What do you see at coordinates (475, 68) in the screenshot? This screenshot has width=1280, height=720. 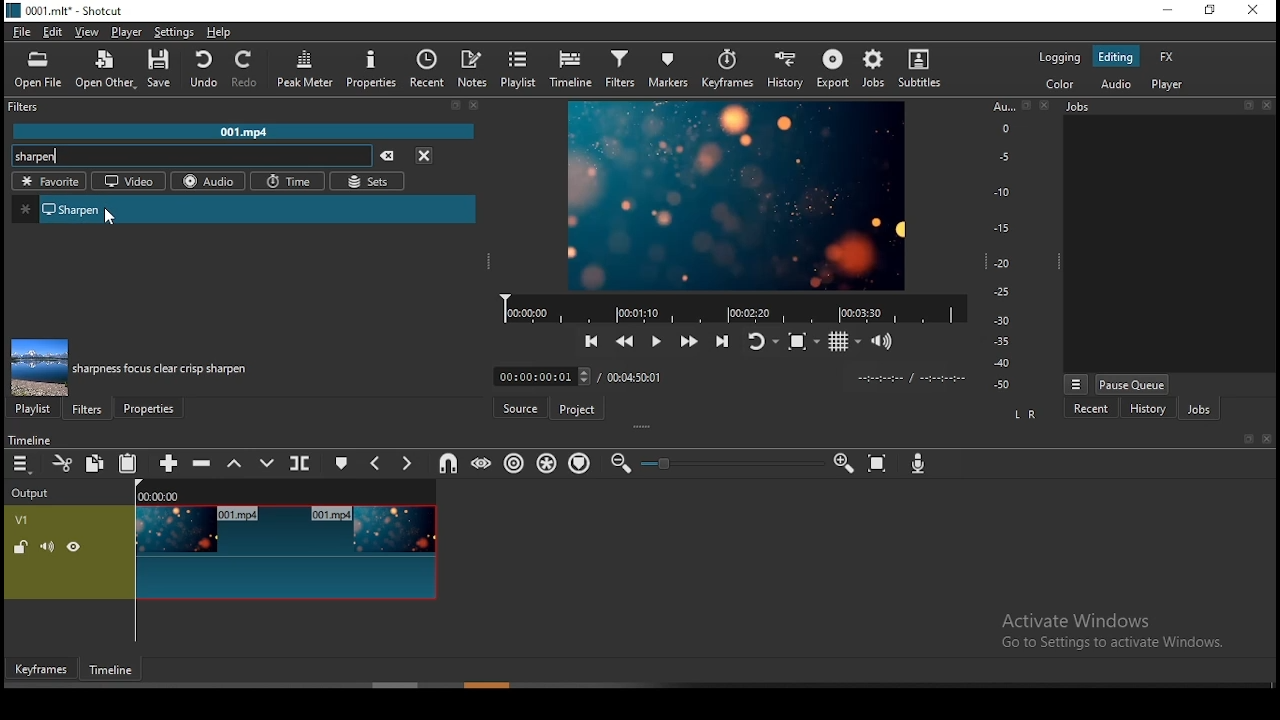 I see `notes` at bounding box center [475, 68].